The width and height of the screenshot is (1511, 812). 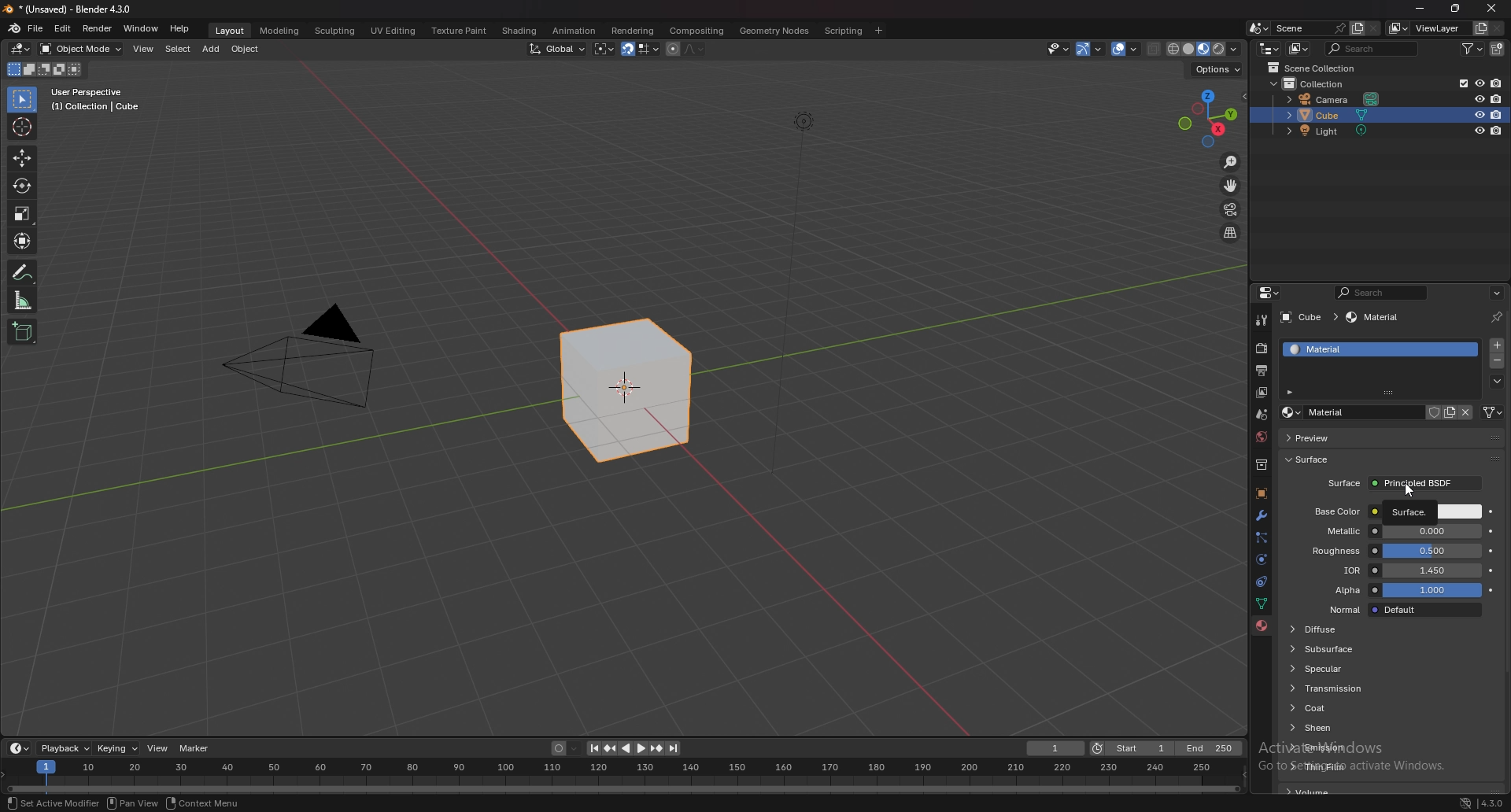 I want to click on compositing, so click(x=696, y=31).